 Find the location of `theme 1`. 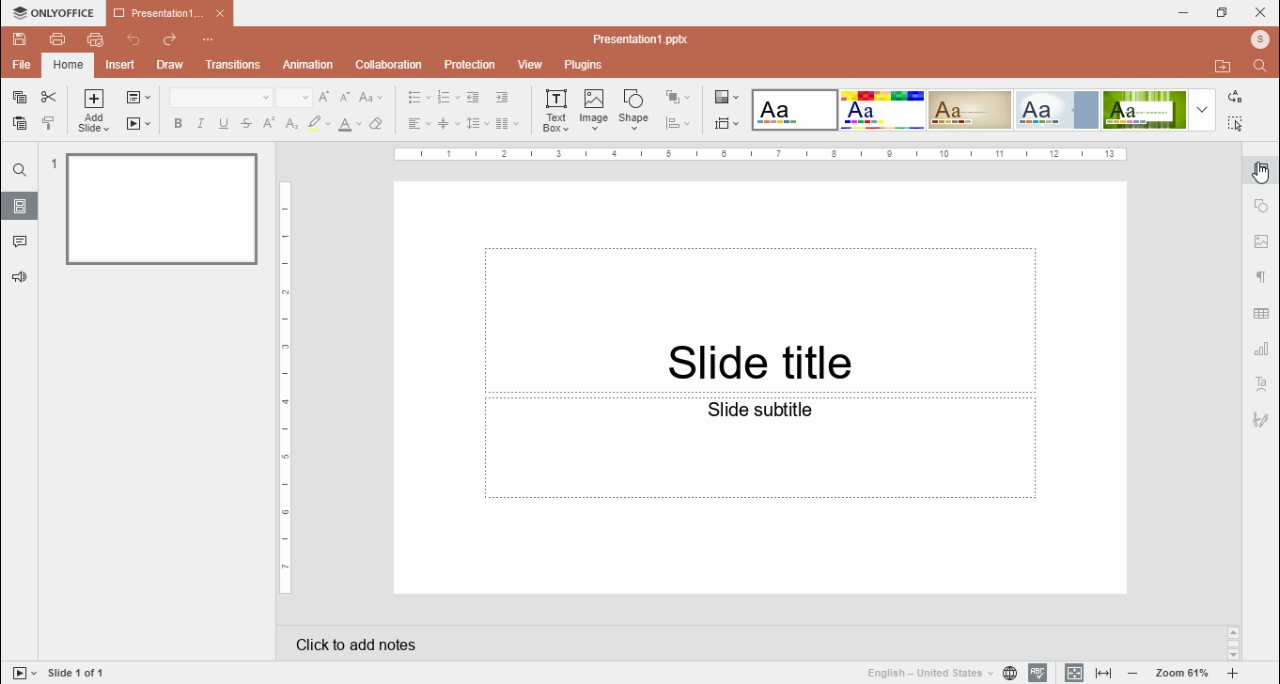

theme 1 is located at coordinates (792, 110).